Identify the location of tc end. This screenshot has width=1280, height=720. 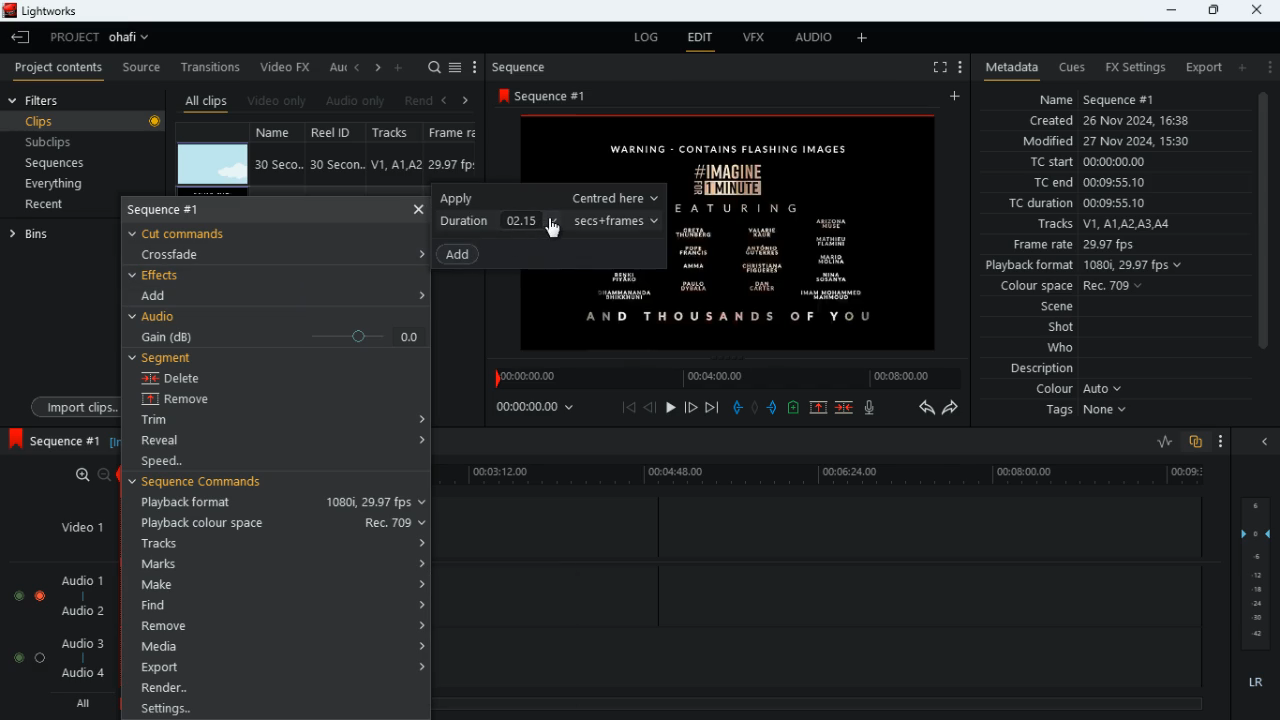
(1082, 183).